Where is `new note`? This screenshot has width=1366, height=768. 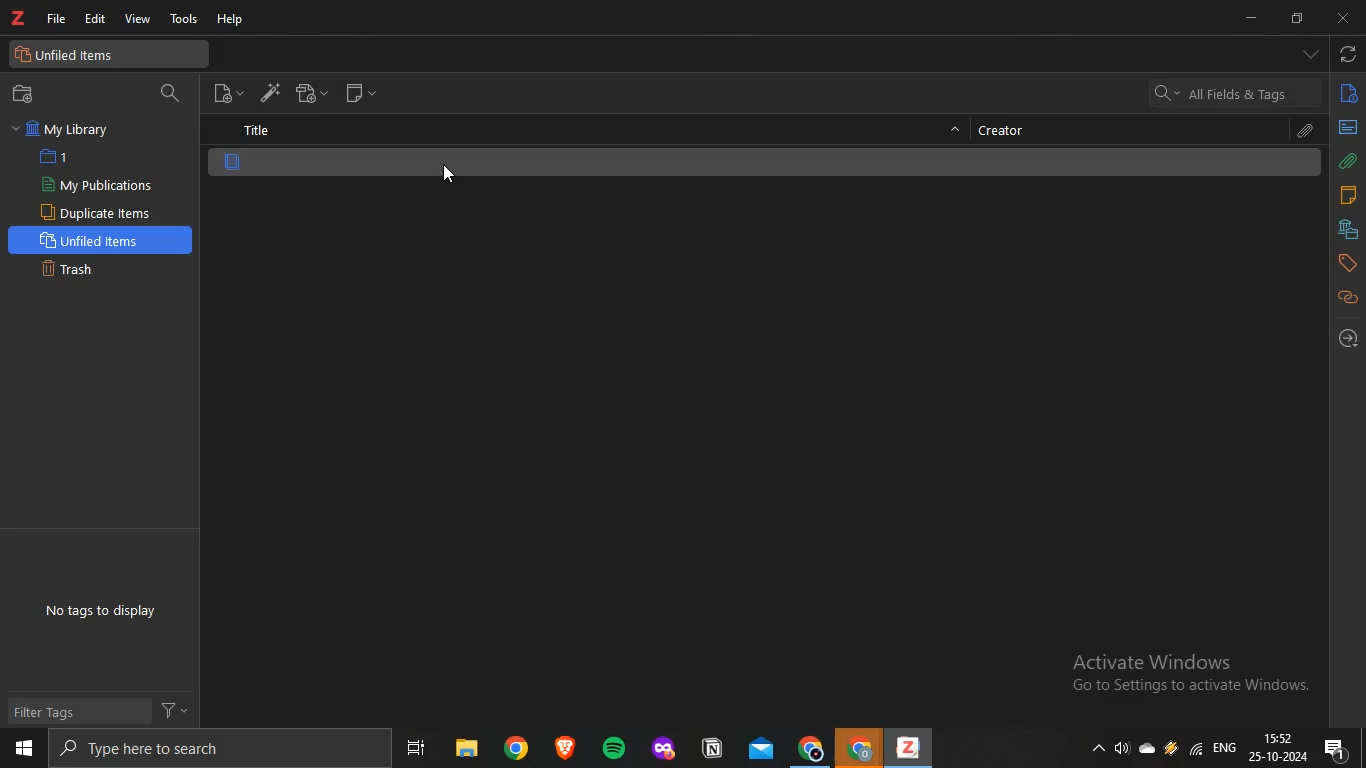
new note is located at coordinates (361, 92).